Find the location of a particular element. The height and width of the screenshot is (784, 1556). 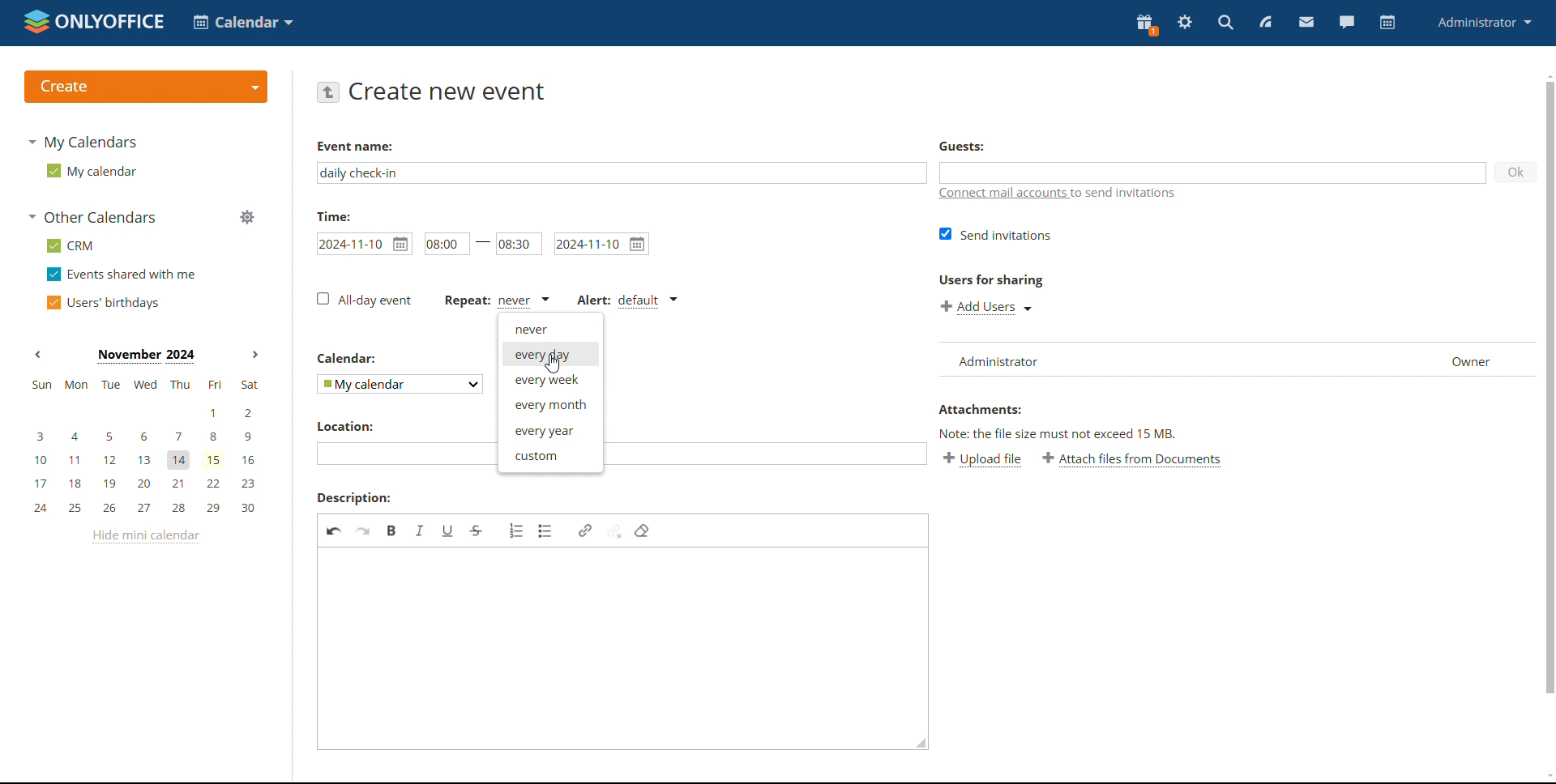

event start time is located at coordinates (445, 244).